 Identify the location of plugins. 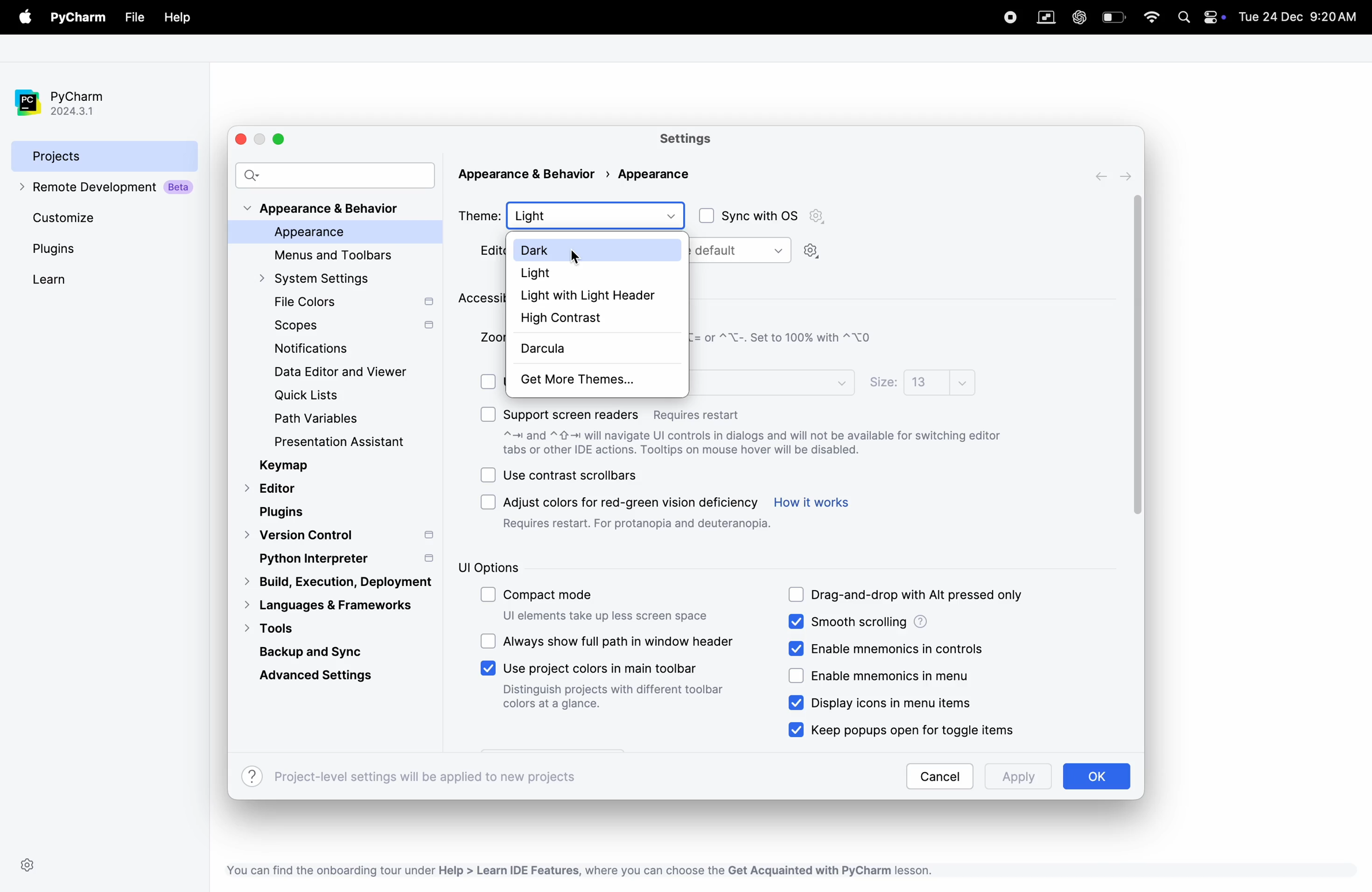
(286, 512).